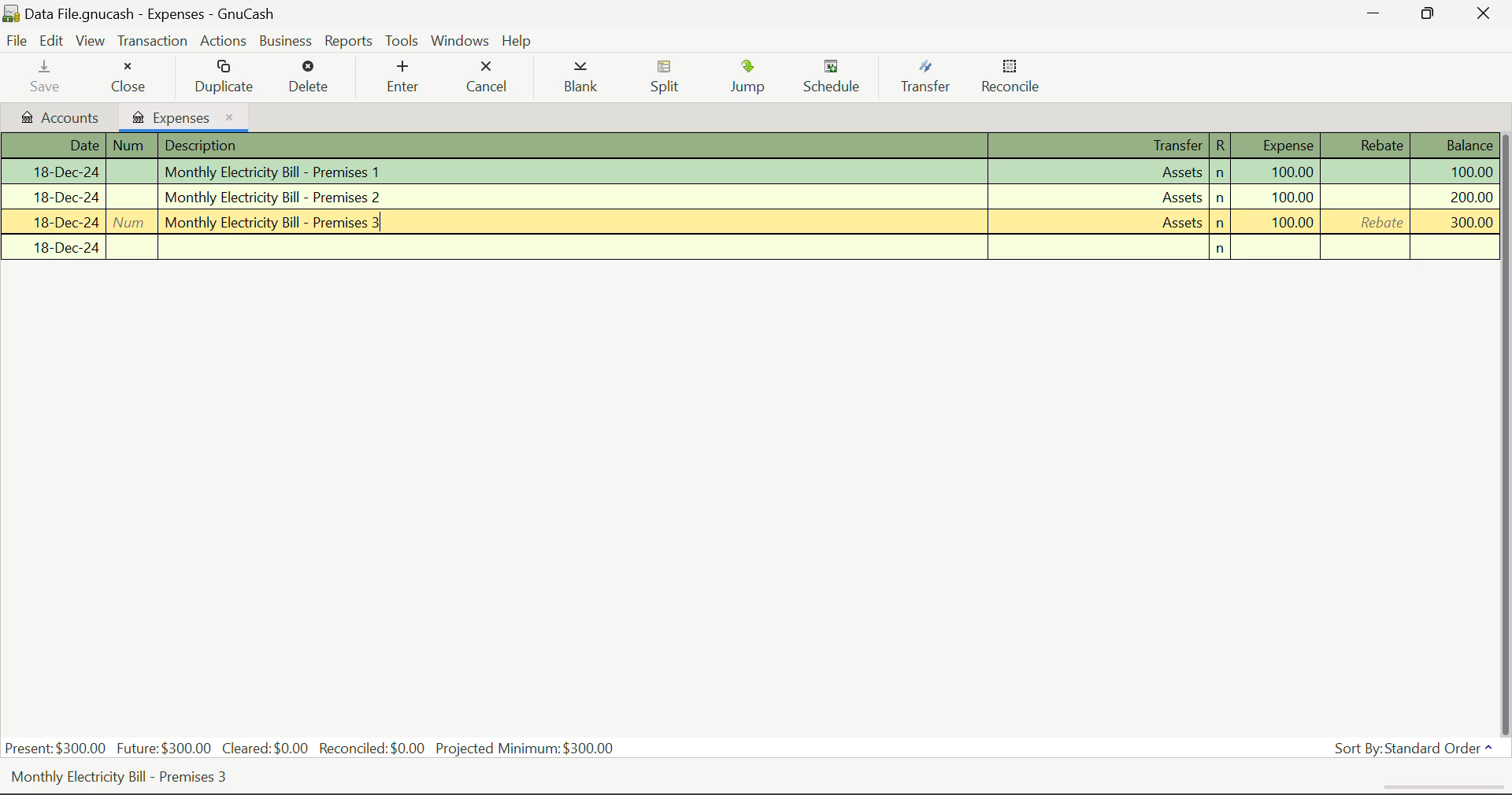  Describe the element at coordinates (209, 225) in the screenshot. I see `Cursor Position` at that location.